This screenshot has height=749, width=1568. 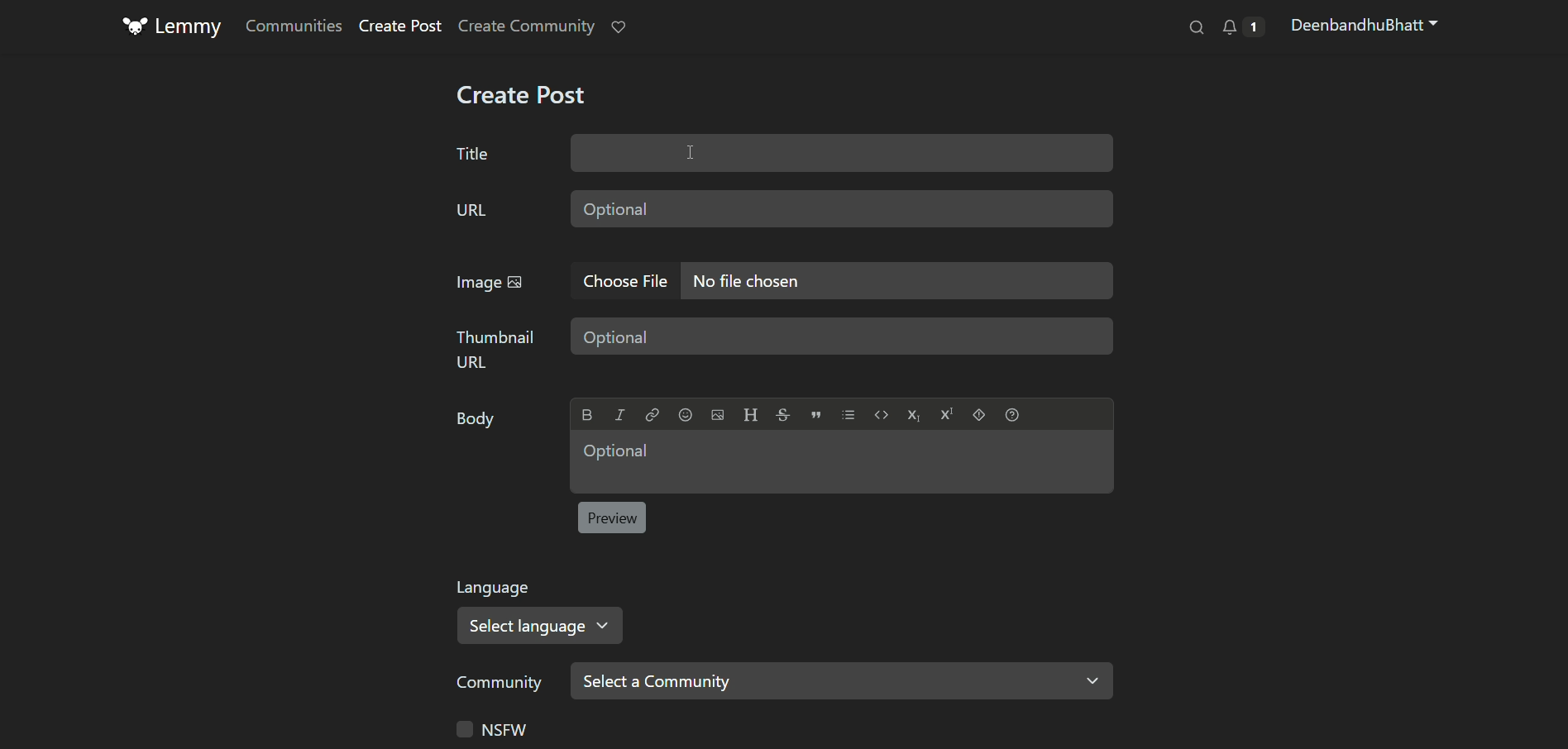 What do you see at coordinates (494, 283) in the screenshot?
I see `image` at bounding box center [494, 283].